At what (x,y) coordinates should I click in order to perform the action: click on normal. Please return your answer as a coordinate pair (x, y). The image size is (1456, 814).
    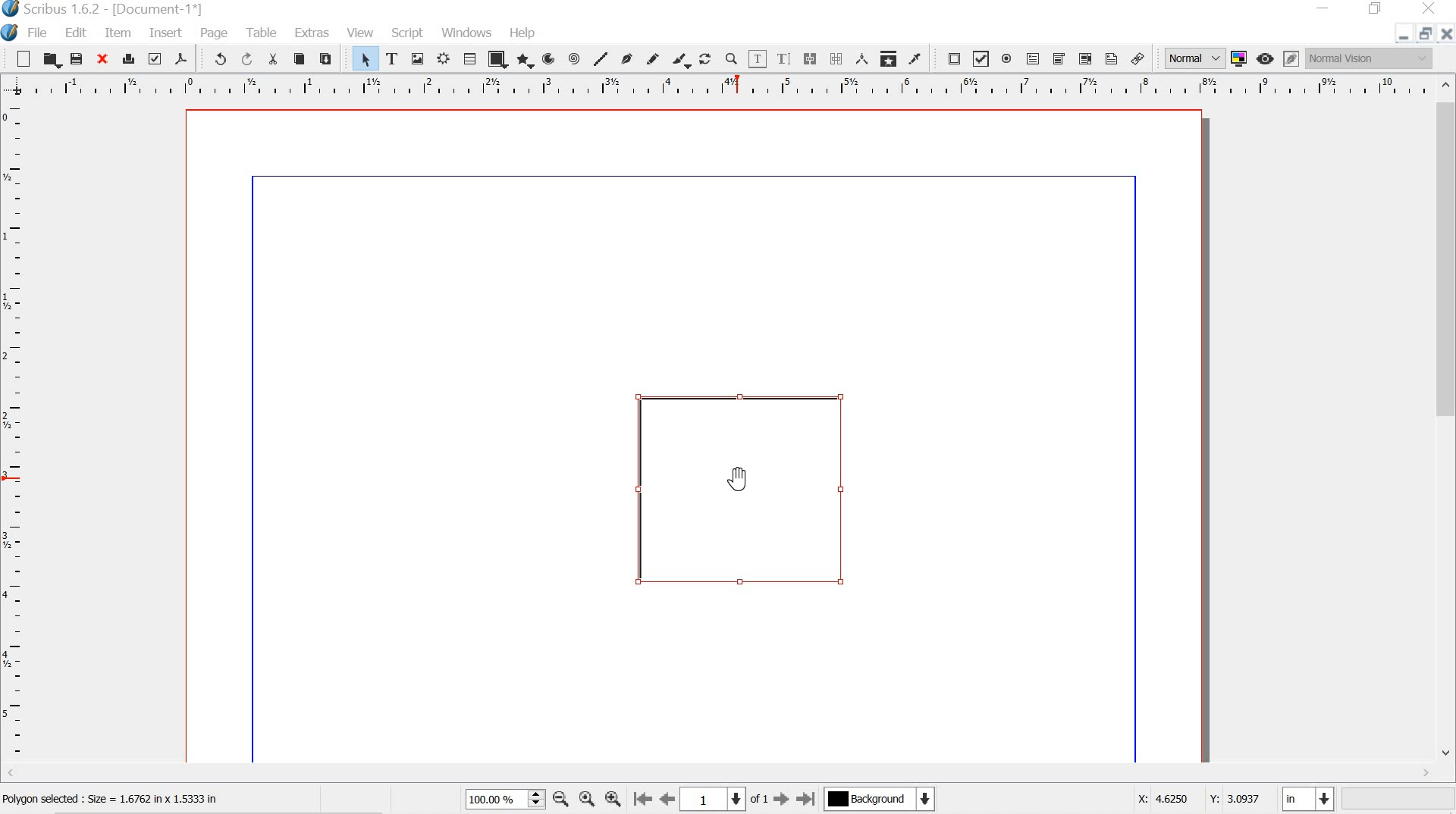
    Looking at the image, I should click on (1193, 56).